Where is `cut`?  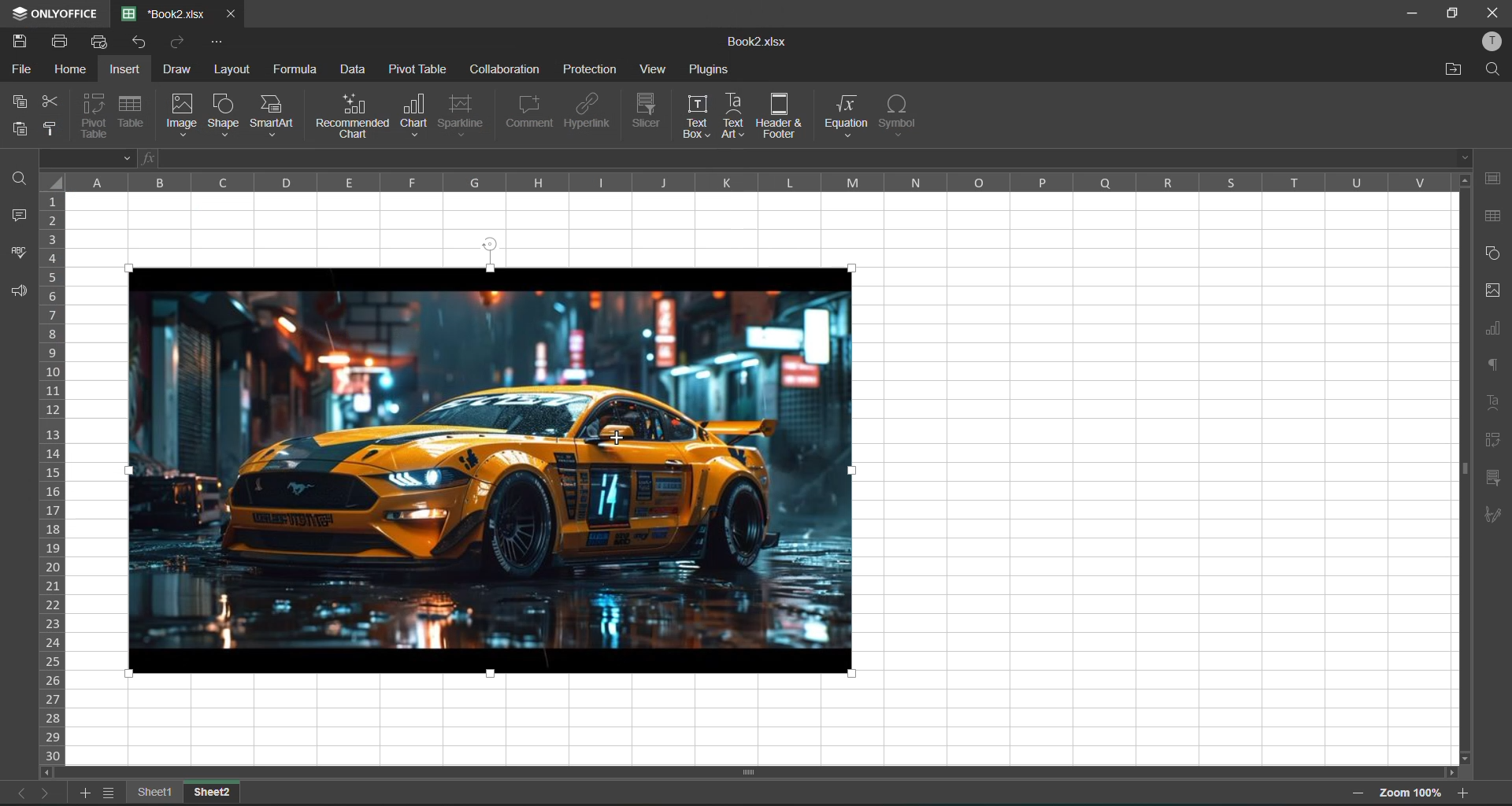
cut is located at coordinates (54, 102).